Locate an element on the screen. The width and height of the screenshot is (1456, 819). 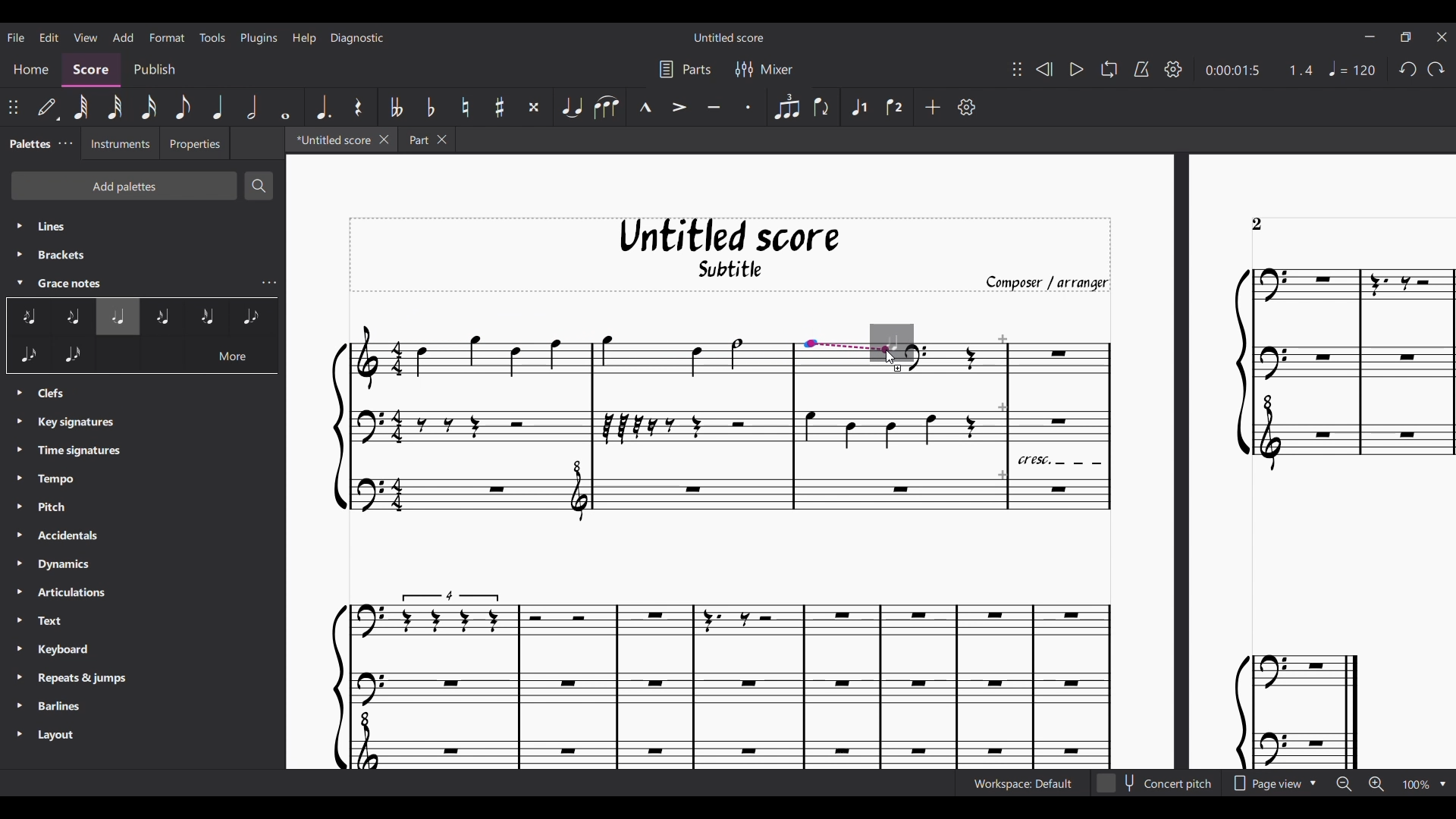
Grace notes palette list is located at coordinates (269, 283).